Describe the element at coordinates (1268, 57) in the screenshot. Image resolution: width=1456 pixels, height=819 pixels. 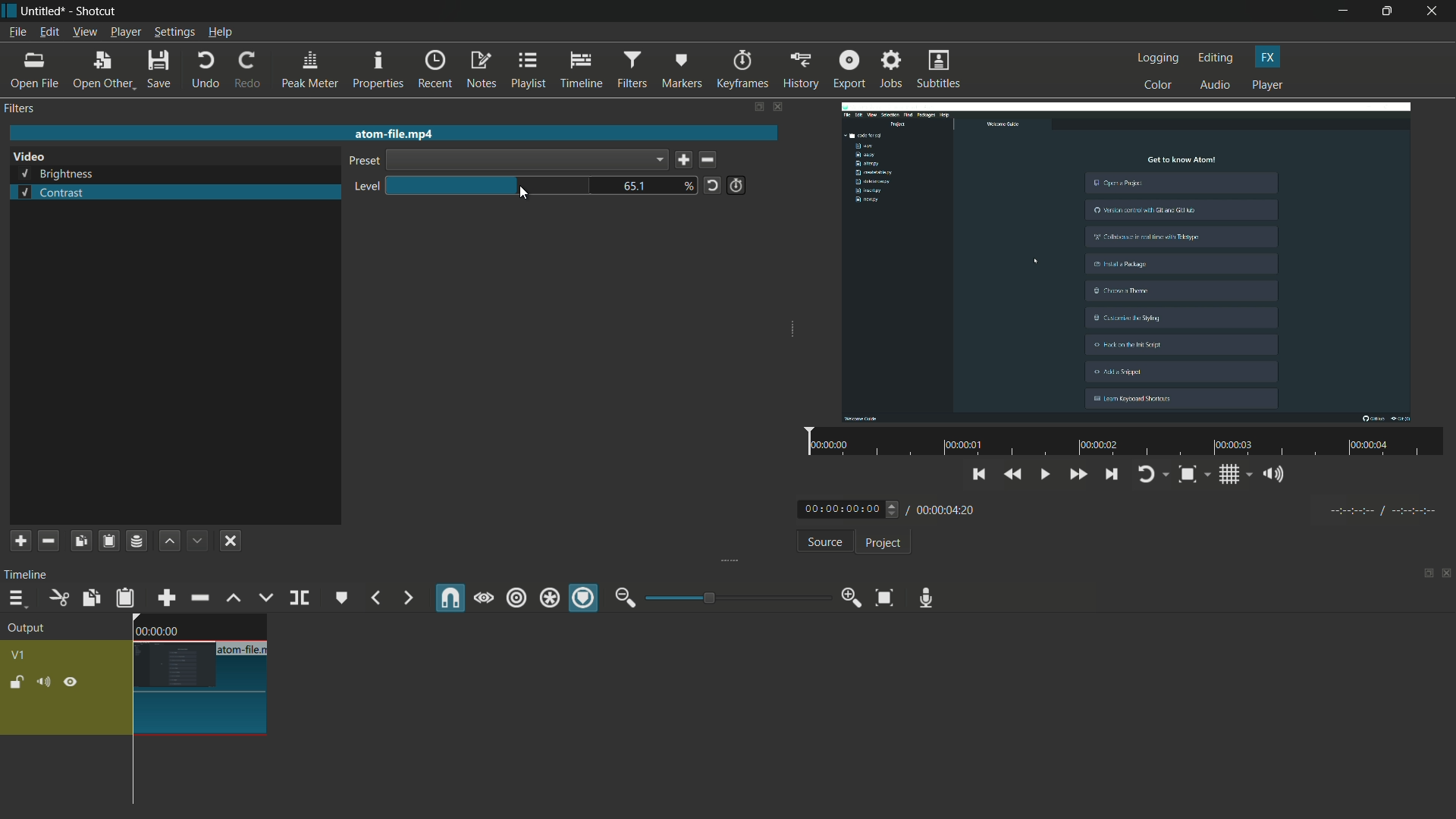
I see `fx` at that location.